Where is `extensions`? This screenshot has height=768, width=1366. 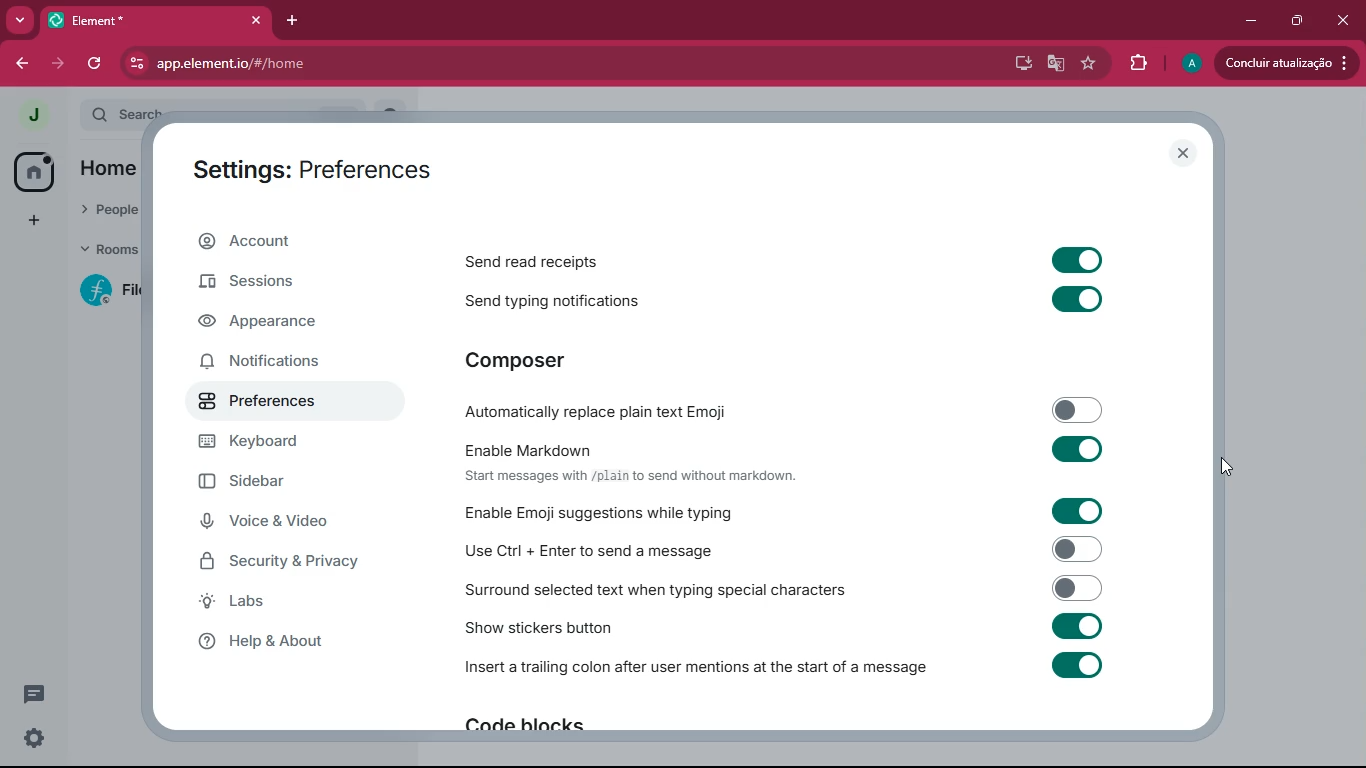 extensions is located at coordinates (1137, 64).